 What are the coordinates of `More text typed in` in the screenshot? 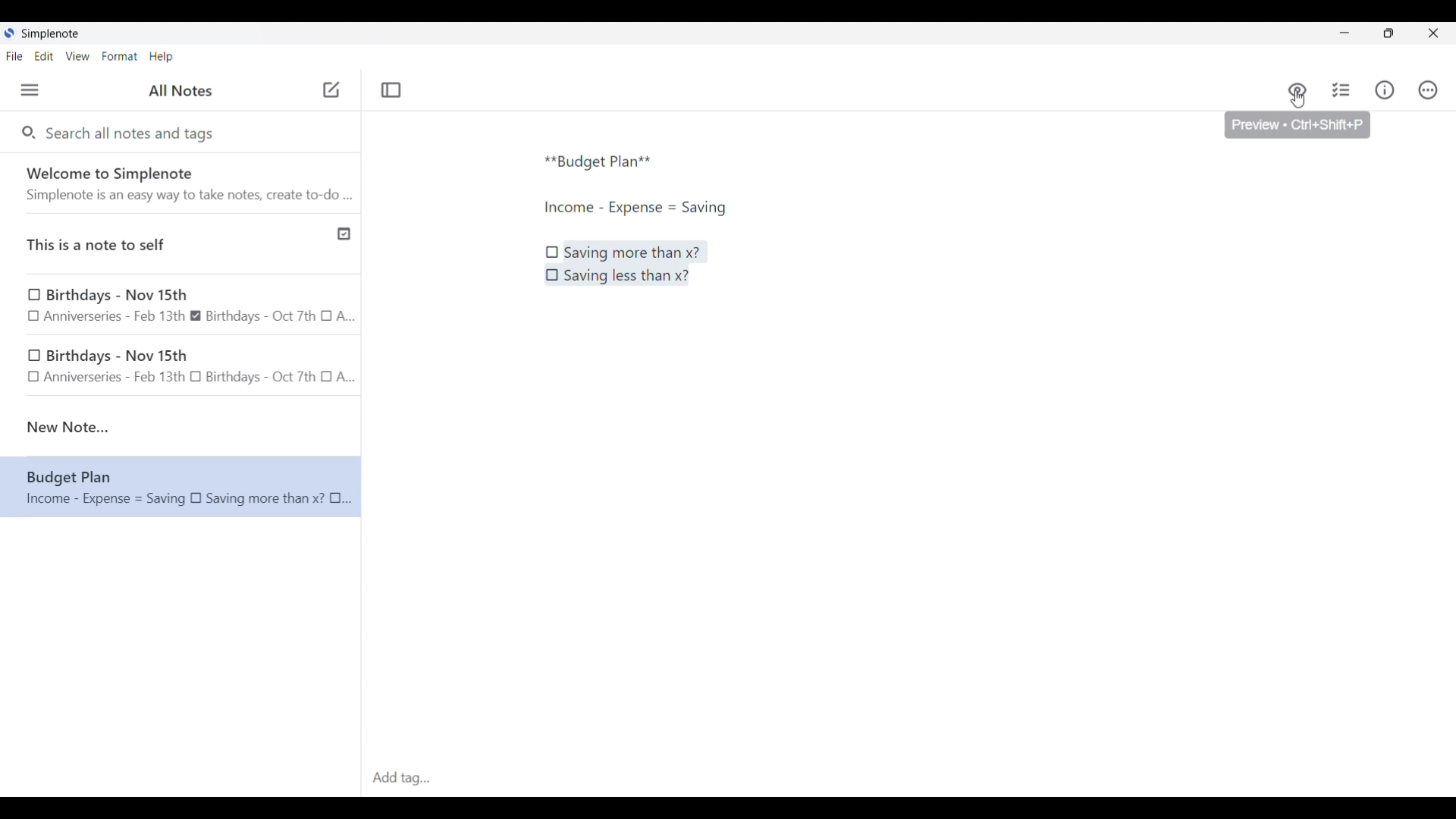 It's located at (634, 208).